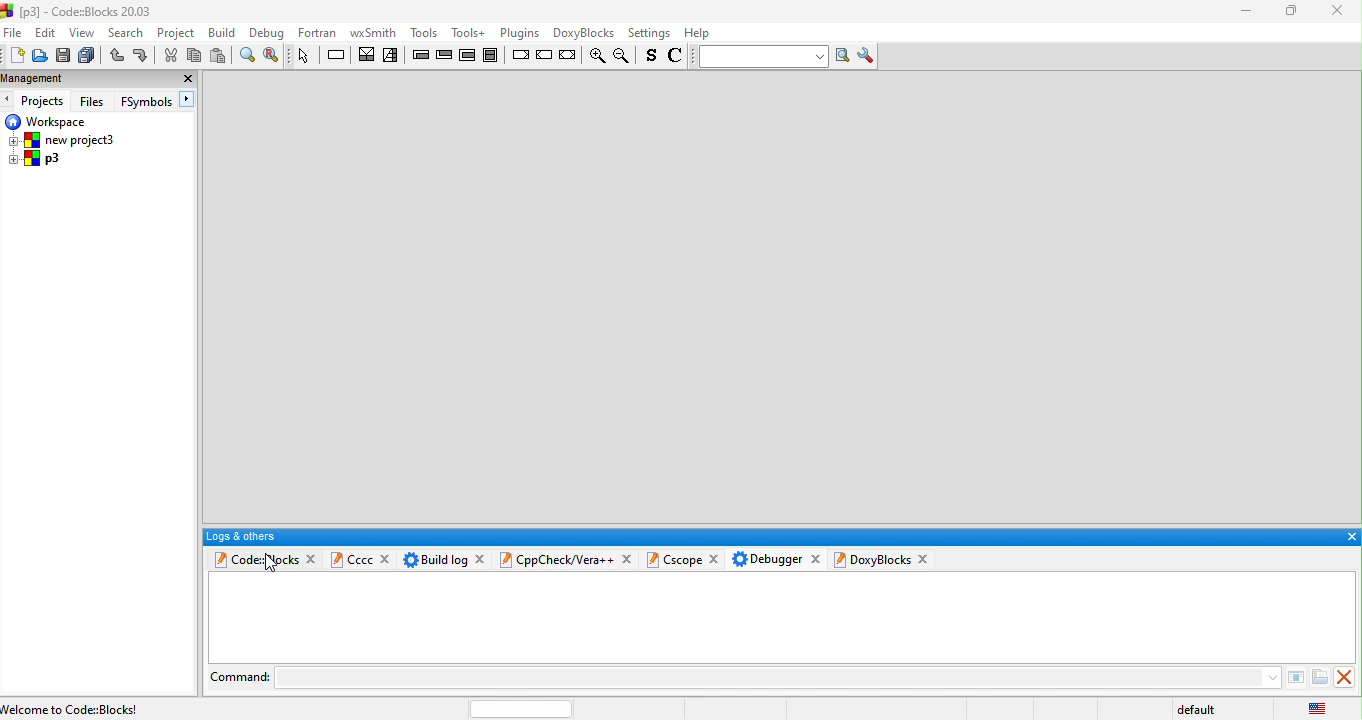  Describe the element at coordinates (868, 56) in the screenshot. I see `show options window` at that location.